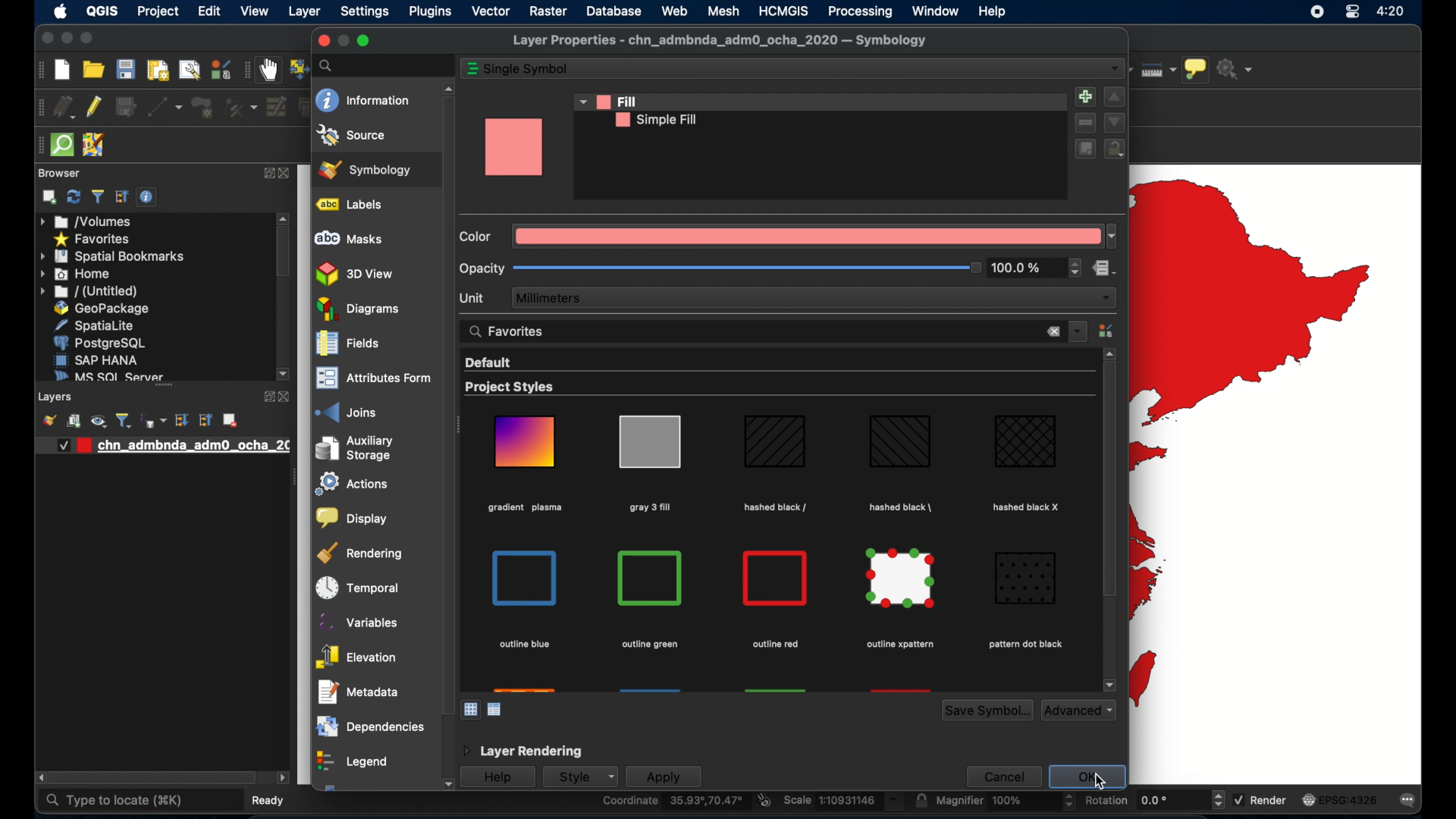 Image resolution: width=1456 pixels, height=819 pixels. What do you see at coordinates (127, 108) in the screenshot?
I see `save edits` at bounding box center [127, 108].